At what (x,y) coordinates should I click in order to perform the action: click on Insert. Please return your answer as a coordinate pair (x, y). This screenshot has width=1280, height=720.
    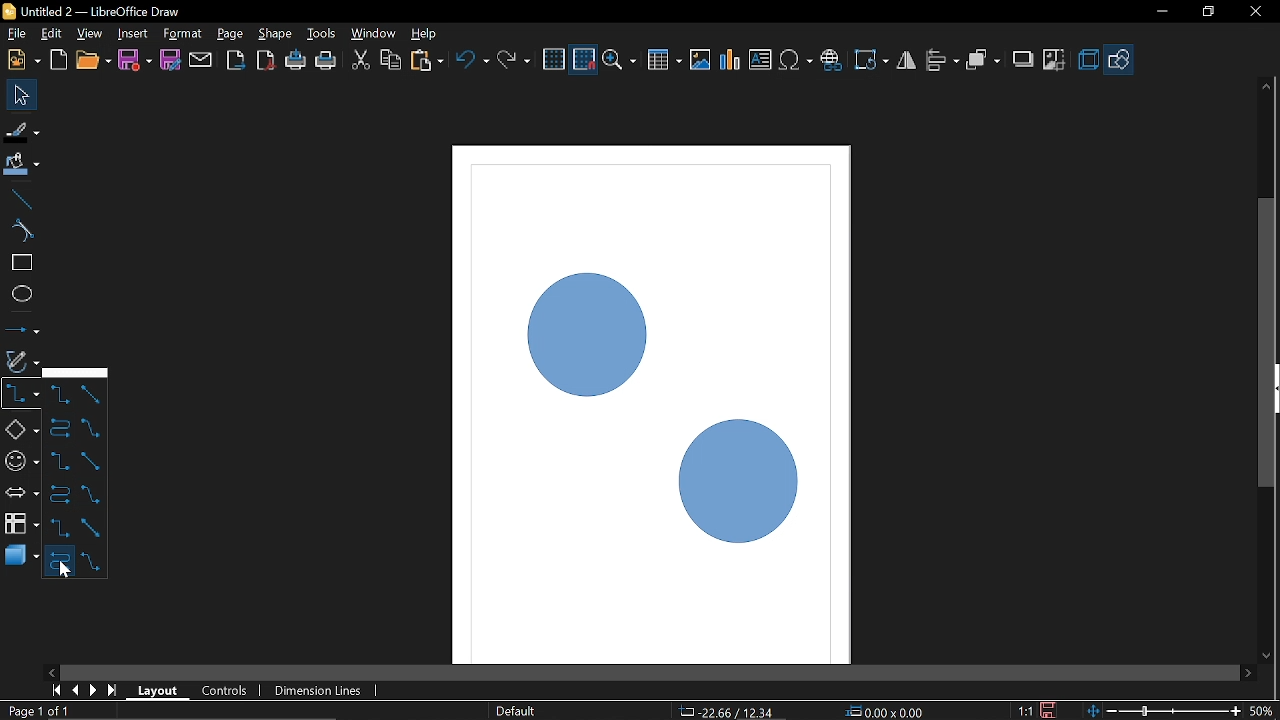
    Looking at the image, I should click on (131, 33).